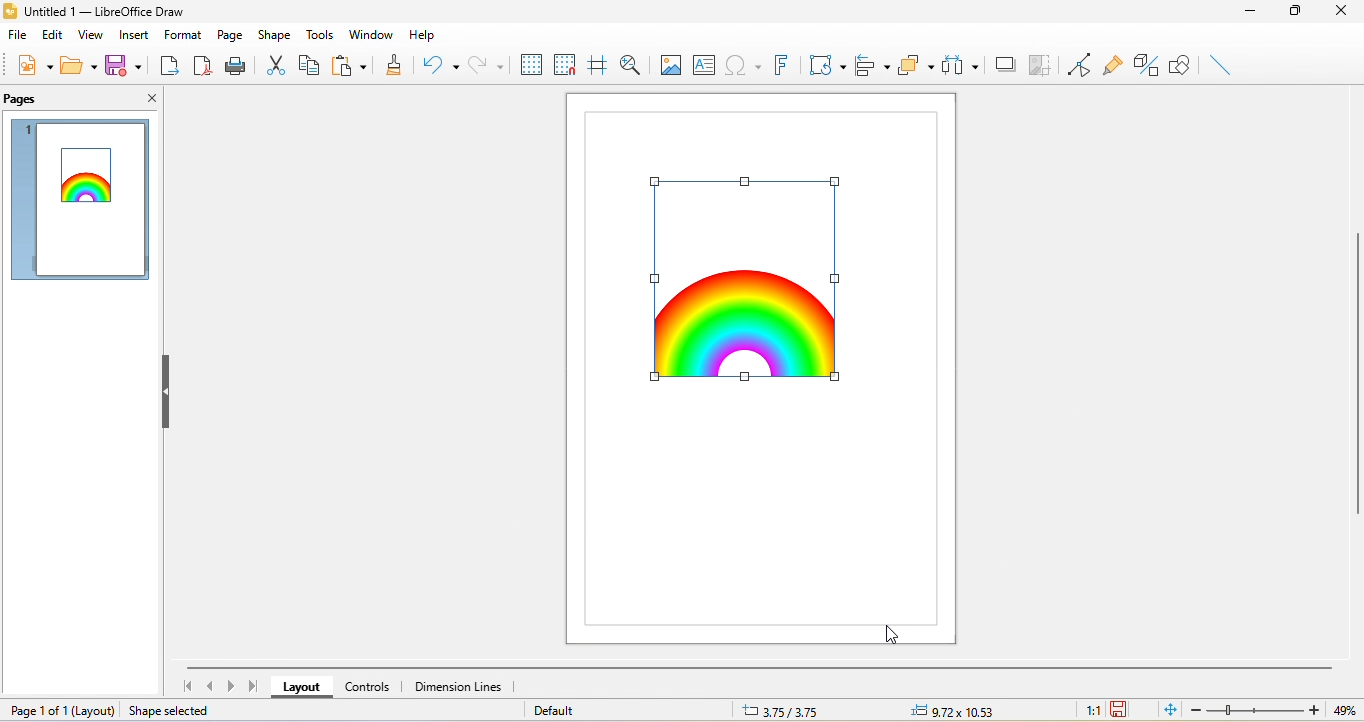  What do you see at coordinates (173, 711) in the screenshot?
I see `shape selected` at bounding box center [173, 711].